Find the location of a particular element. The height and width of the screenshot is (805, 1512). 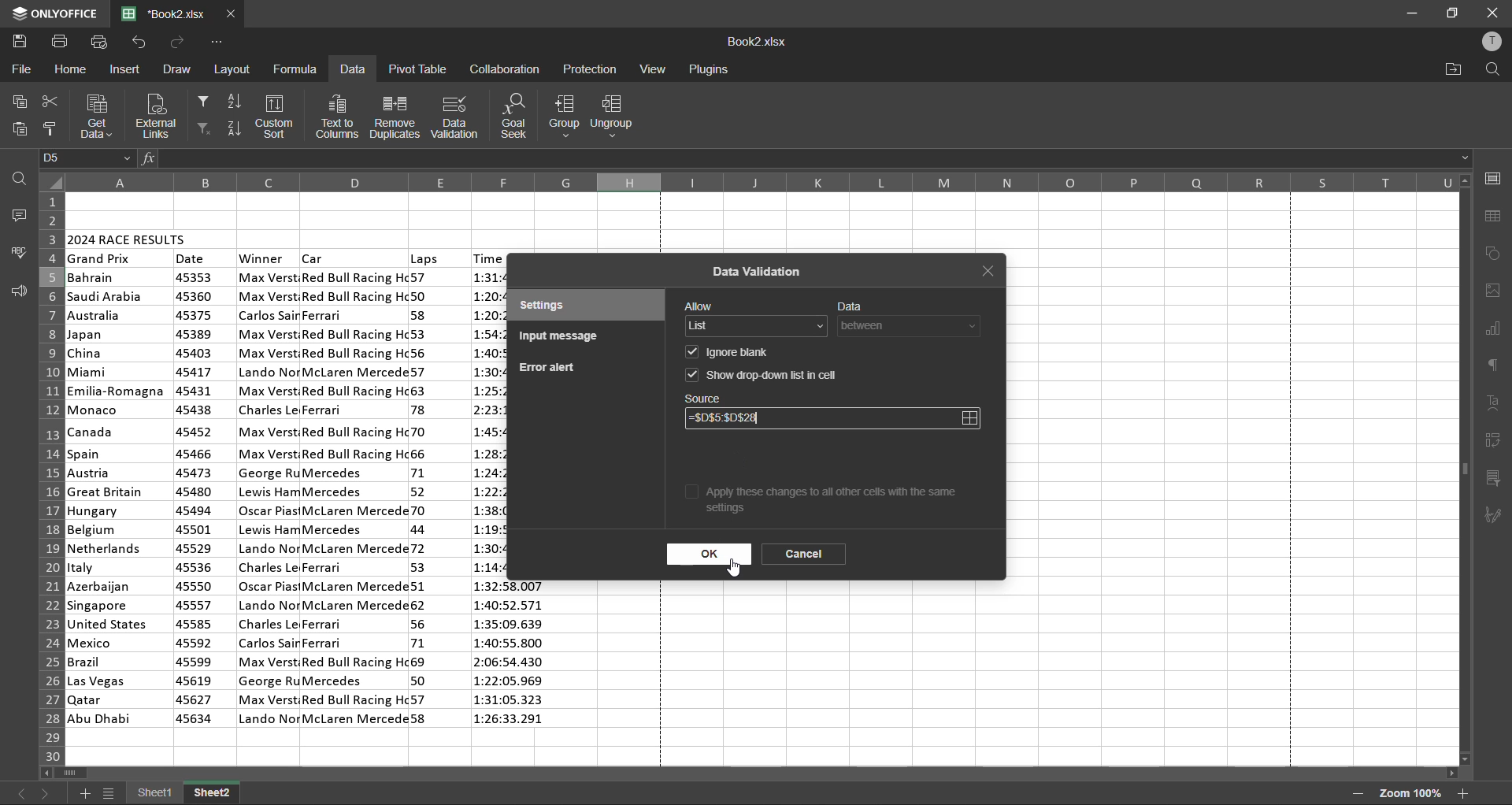

data is located at coordinates (850, 303).